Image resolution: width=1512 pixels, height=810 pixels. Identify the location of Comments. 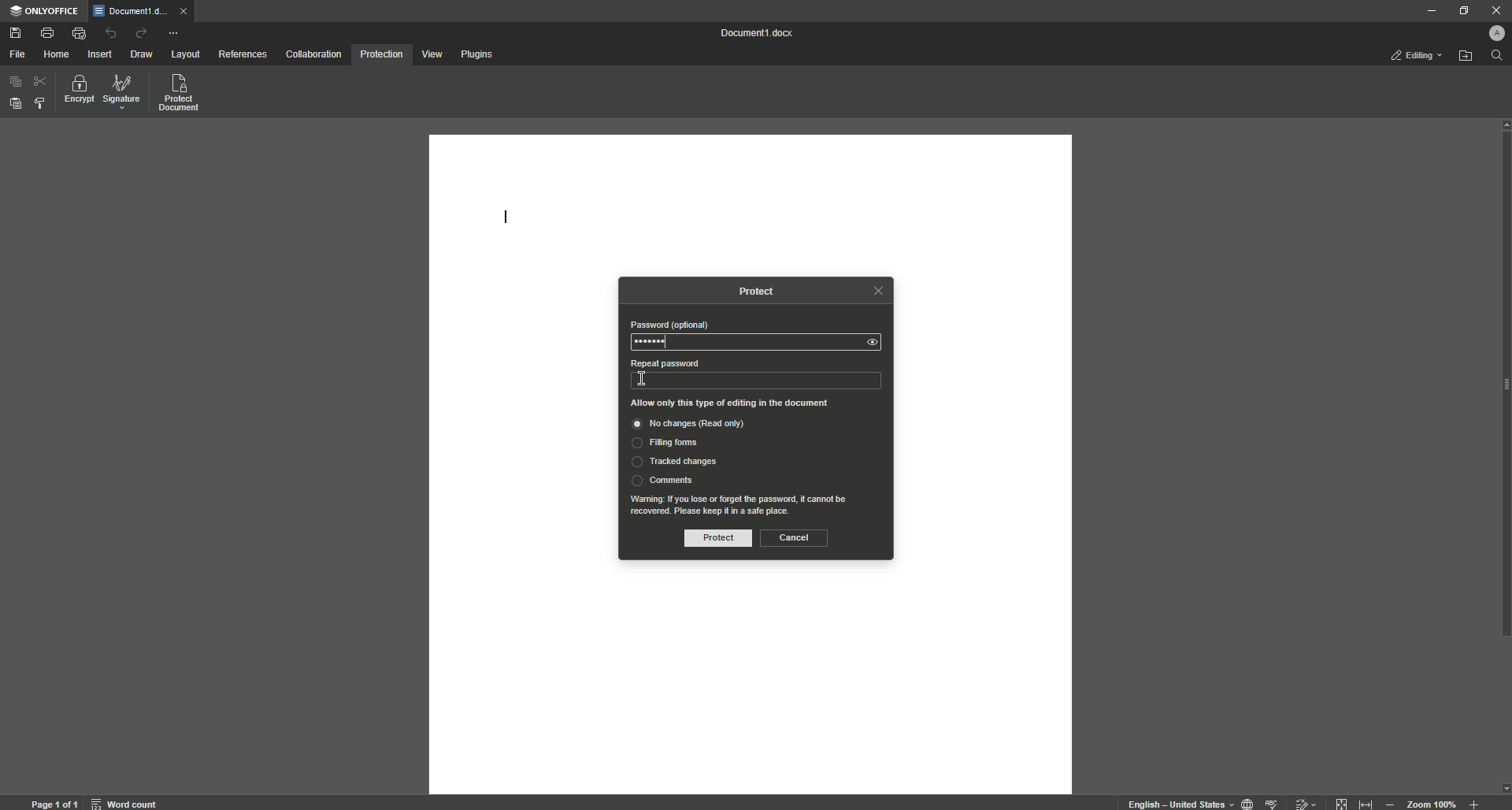
(662, 480).